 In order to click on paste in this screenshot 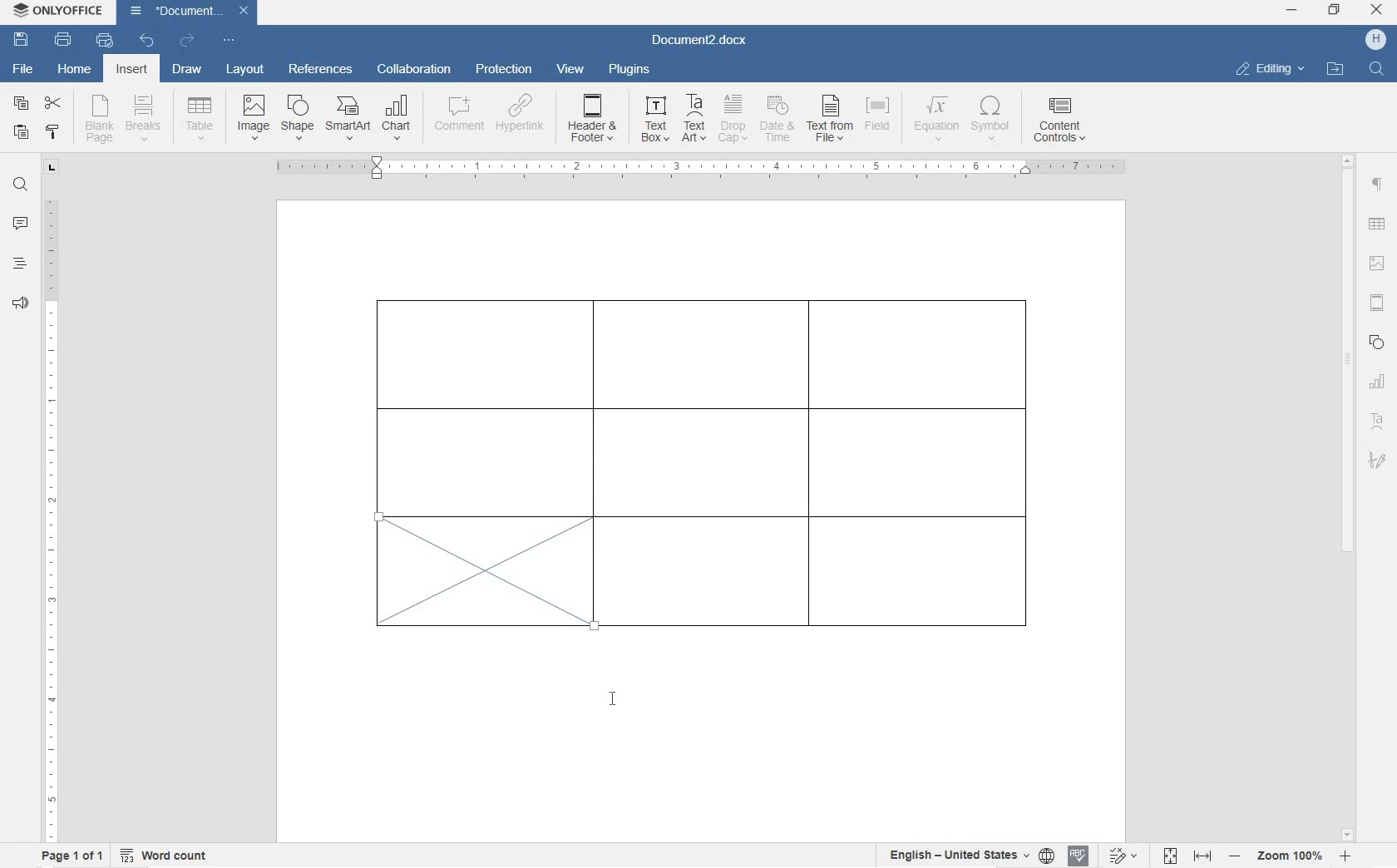, I will do `click(22, 132)`.